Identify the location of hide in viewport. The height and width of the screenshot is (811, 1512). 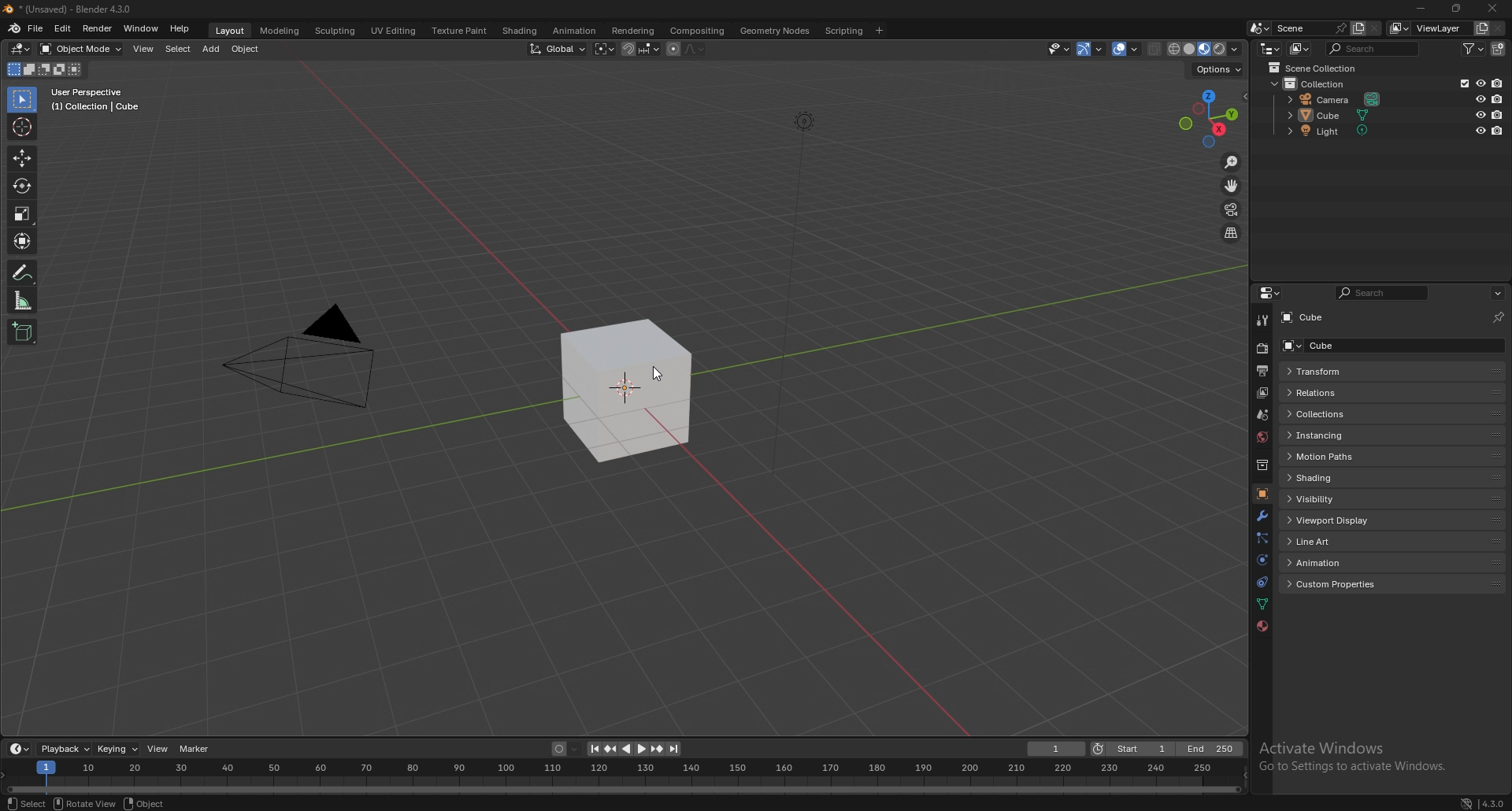
(1479, 130).